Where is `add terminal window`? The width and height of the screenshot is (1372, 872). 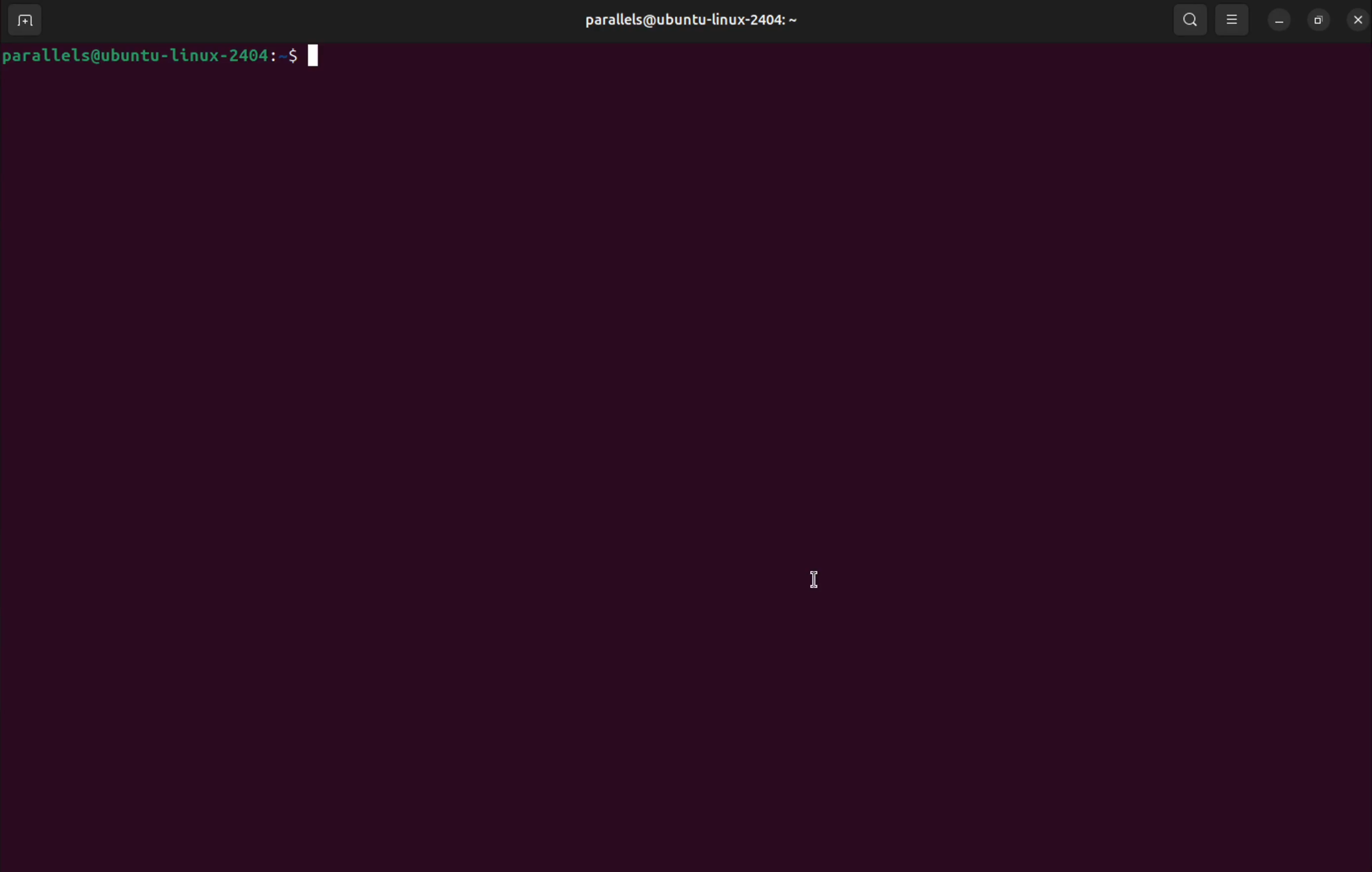 add terminal window is located at coordinates (28, 20).